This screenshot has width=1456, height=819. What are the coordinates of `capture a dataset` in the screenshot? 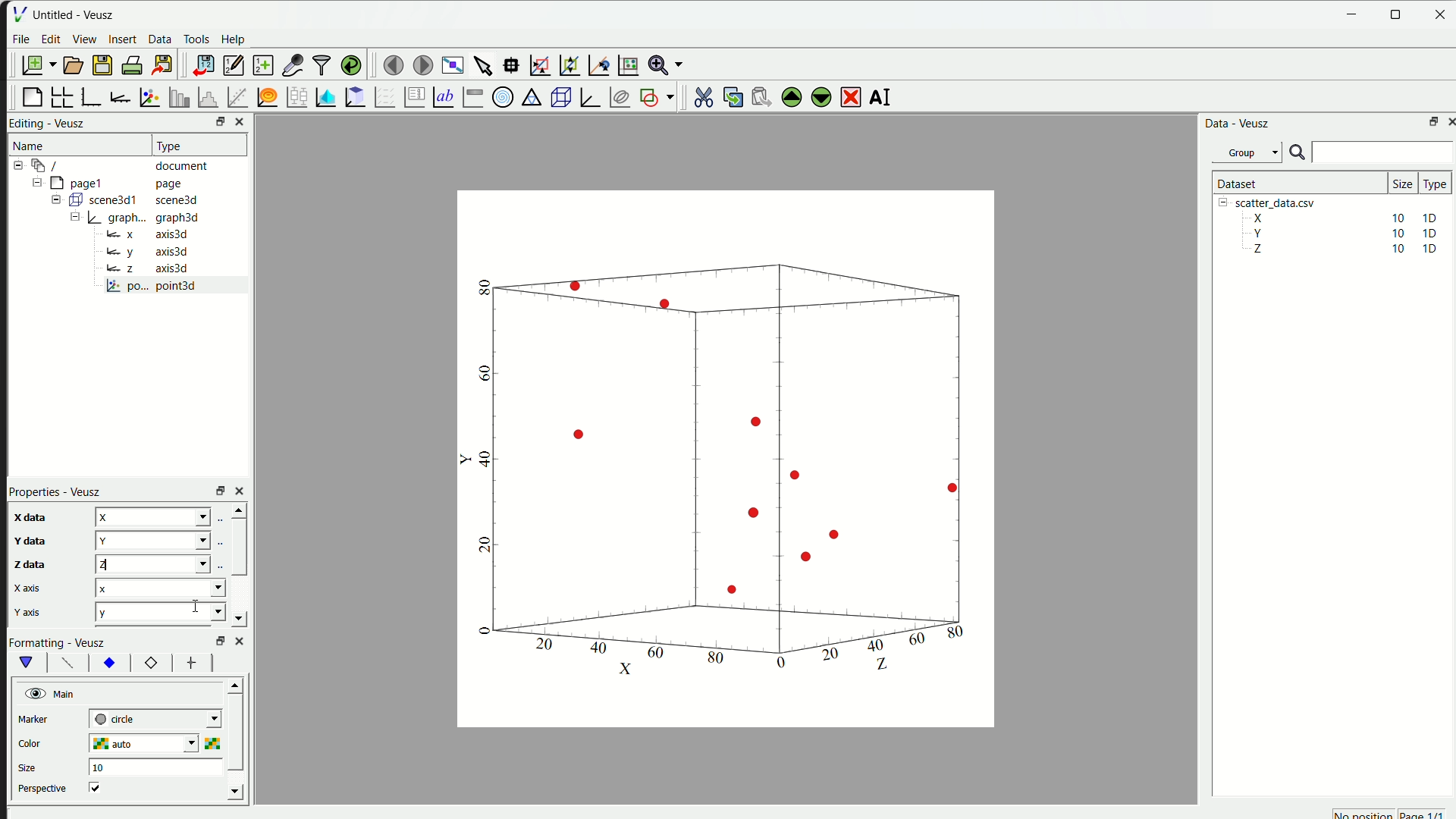 It's located at (292, 63).